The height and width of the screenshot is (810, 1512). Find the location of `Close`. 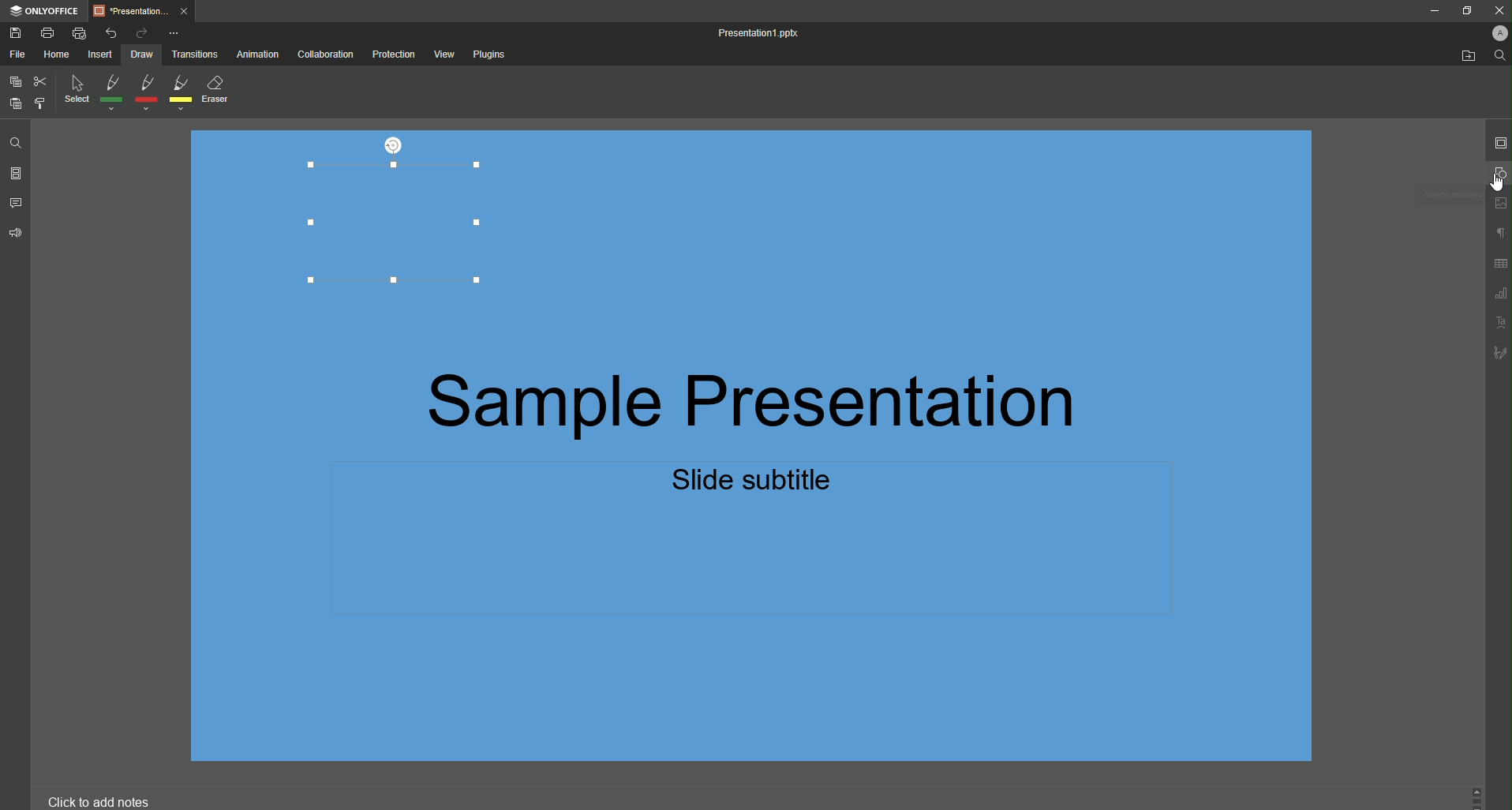

Close is located at coordinates (1495, 10).